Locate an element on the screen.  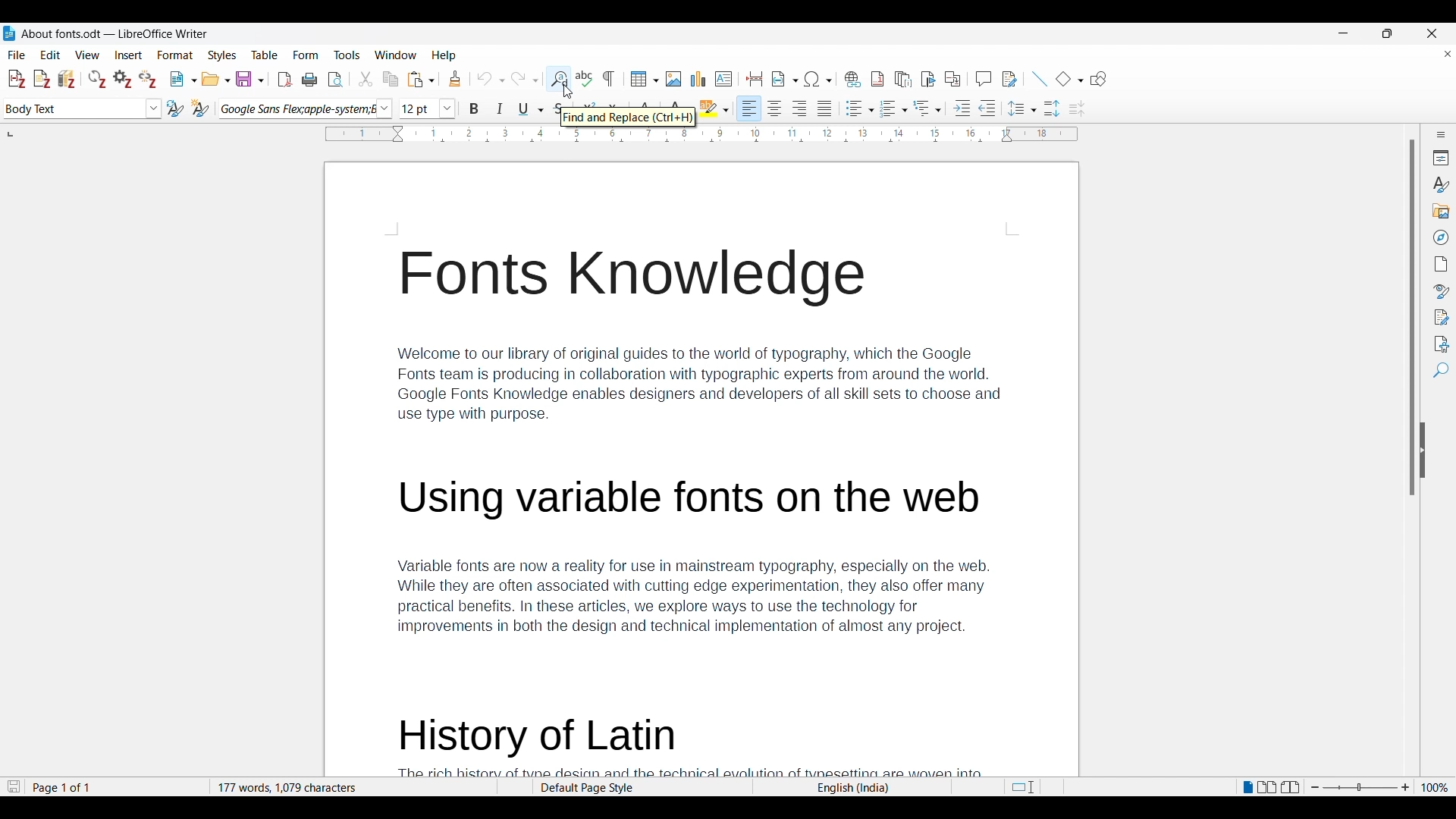
Copy is located at coordinates (391, 79).